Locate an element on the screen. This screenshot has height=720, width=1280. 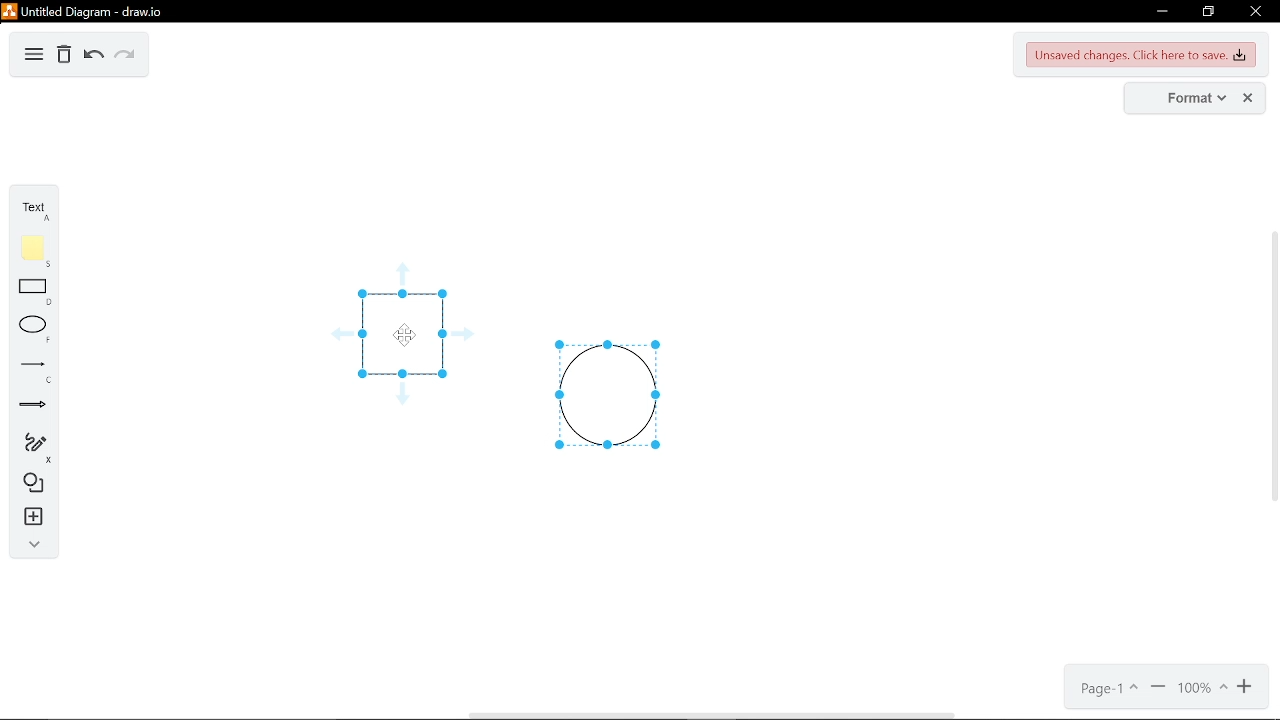
current zoom is located at coordinates (1202, 690).